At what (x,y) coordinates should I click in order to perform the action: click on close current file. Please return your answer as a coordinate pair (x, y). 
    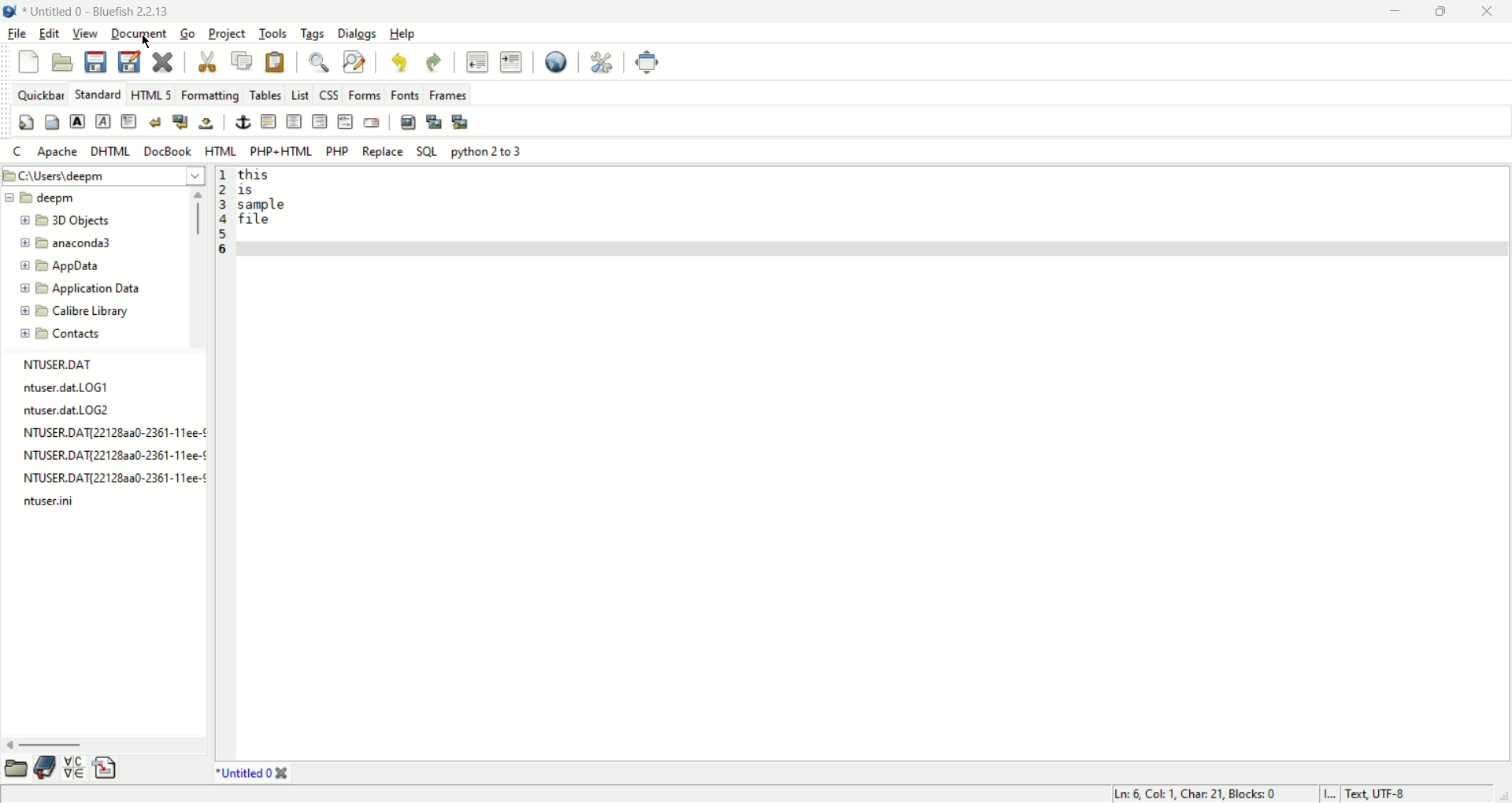
    Looking at the image, I should click on (165, 63).